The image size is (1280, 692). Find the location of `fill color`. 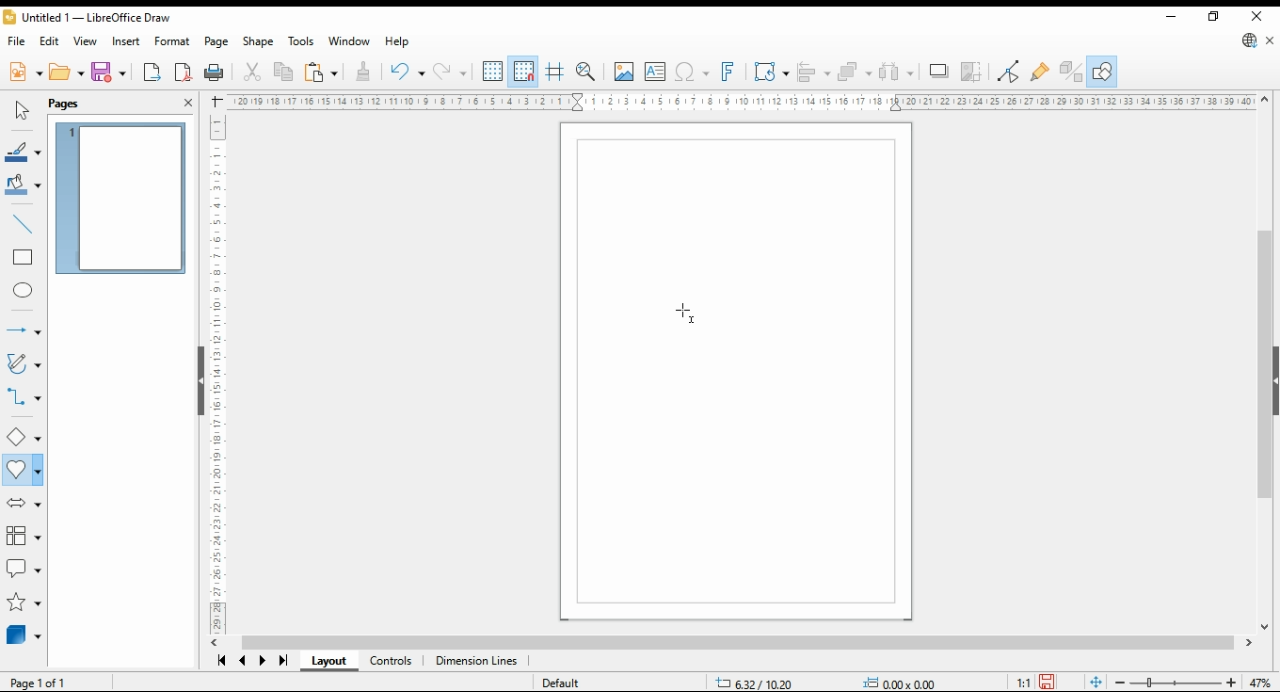

fill color is located at coordinates (24, 186).